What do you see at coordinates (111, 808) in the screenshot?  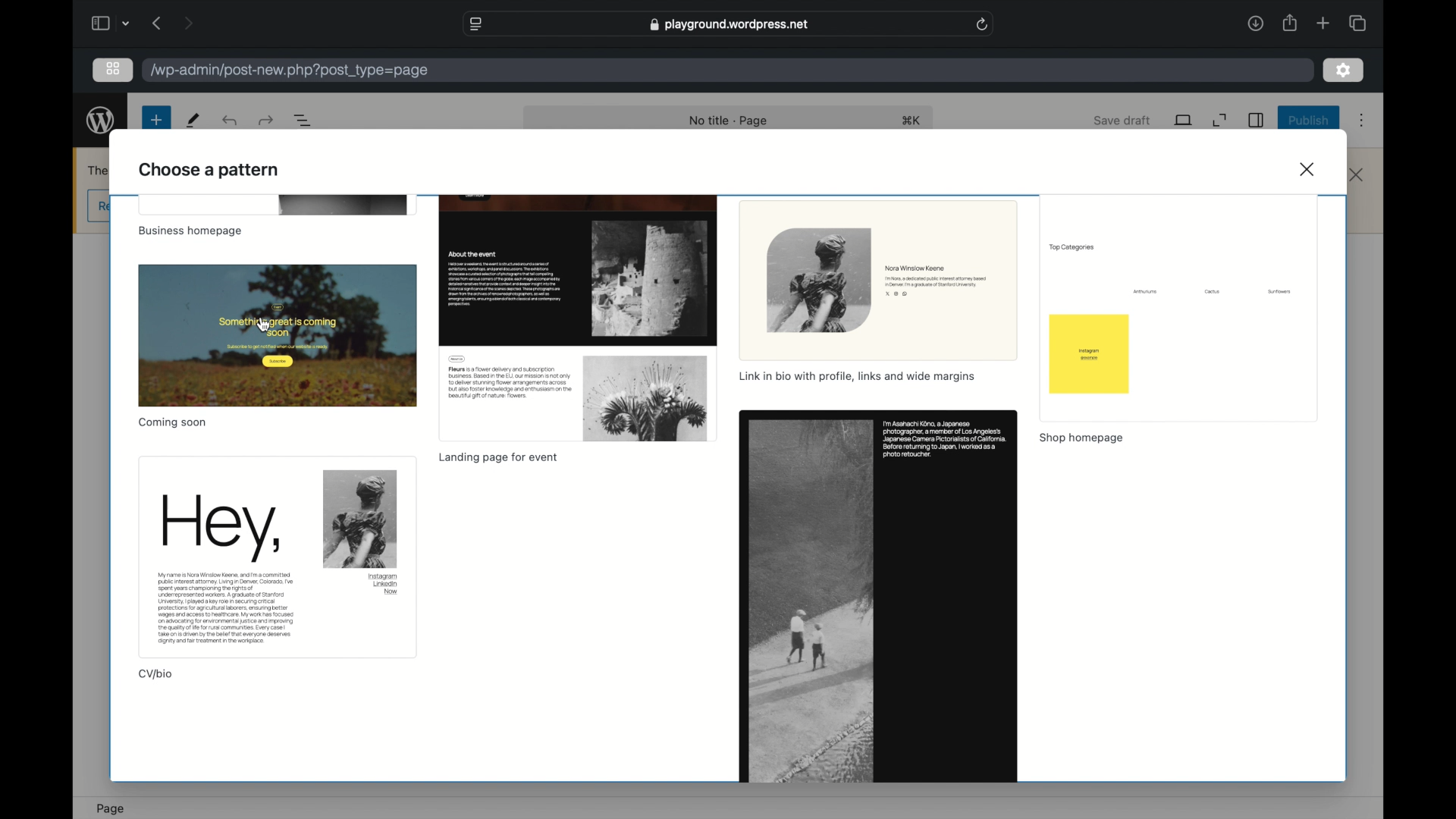 I see `page` at bounding box center [111, 808].